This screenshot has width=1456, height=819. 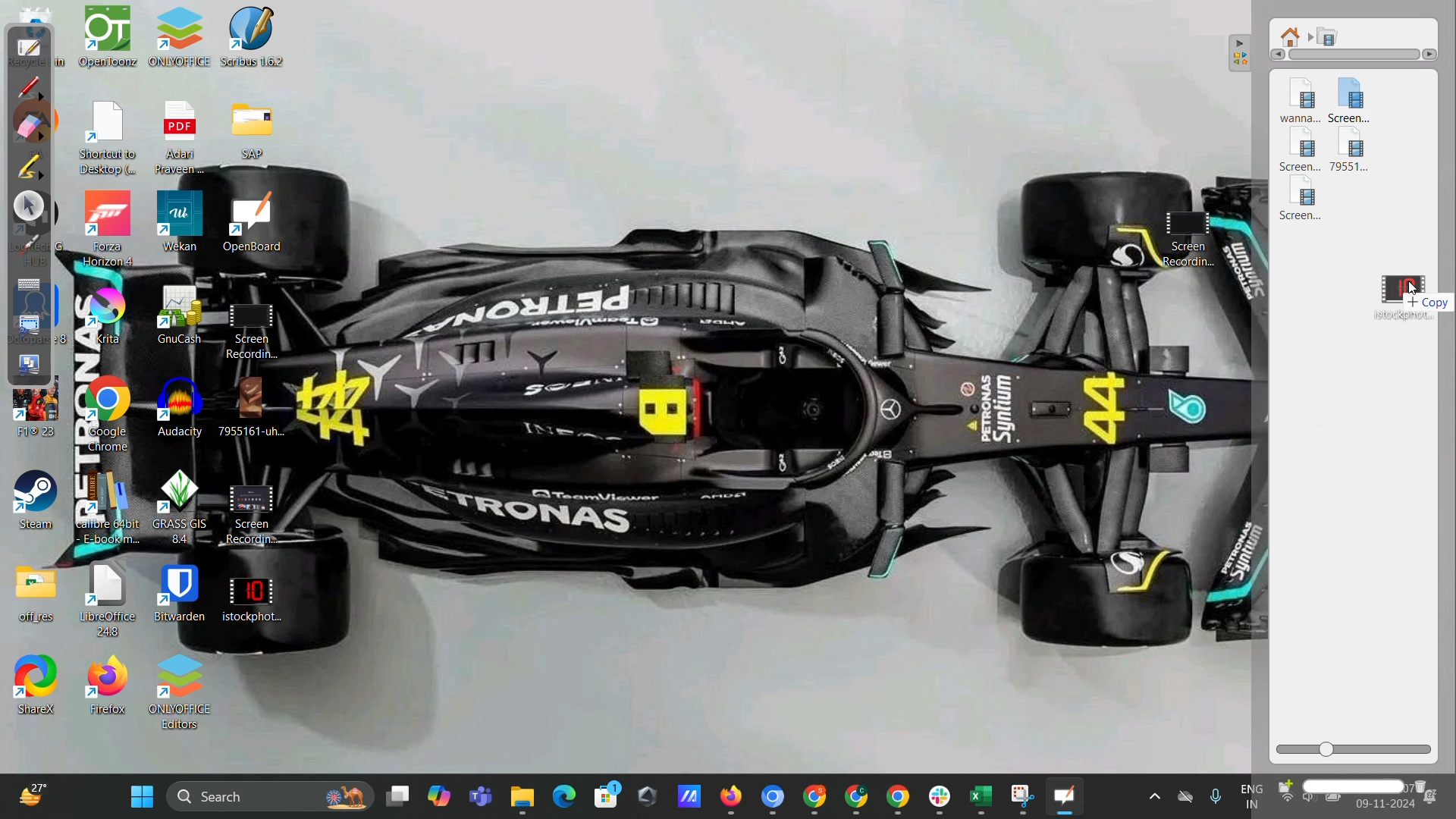 What do you see at coordinates (1352, 57) in the screenshot?
I see `horizontal scroll bar` at bounding box center [1352, 57].